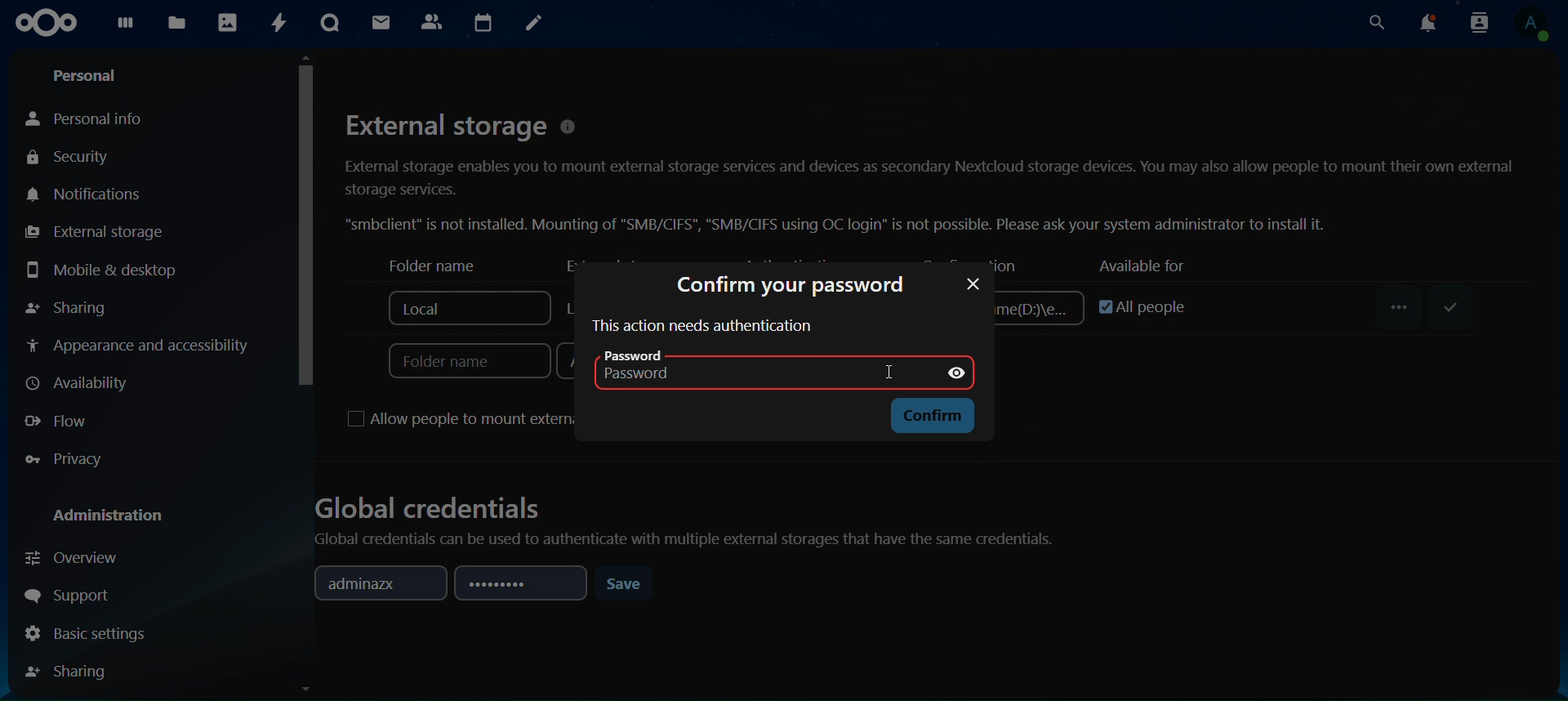 The image size is (1568, 701). Describe the element at coordinates (332, 23) in the screenshot. I see `talk` at that location.